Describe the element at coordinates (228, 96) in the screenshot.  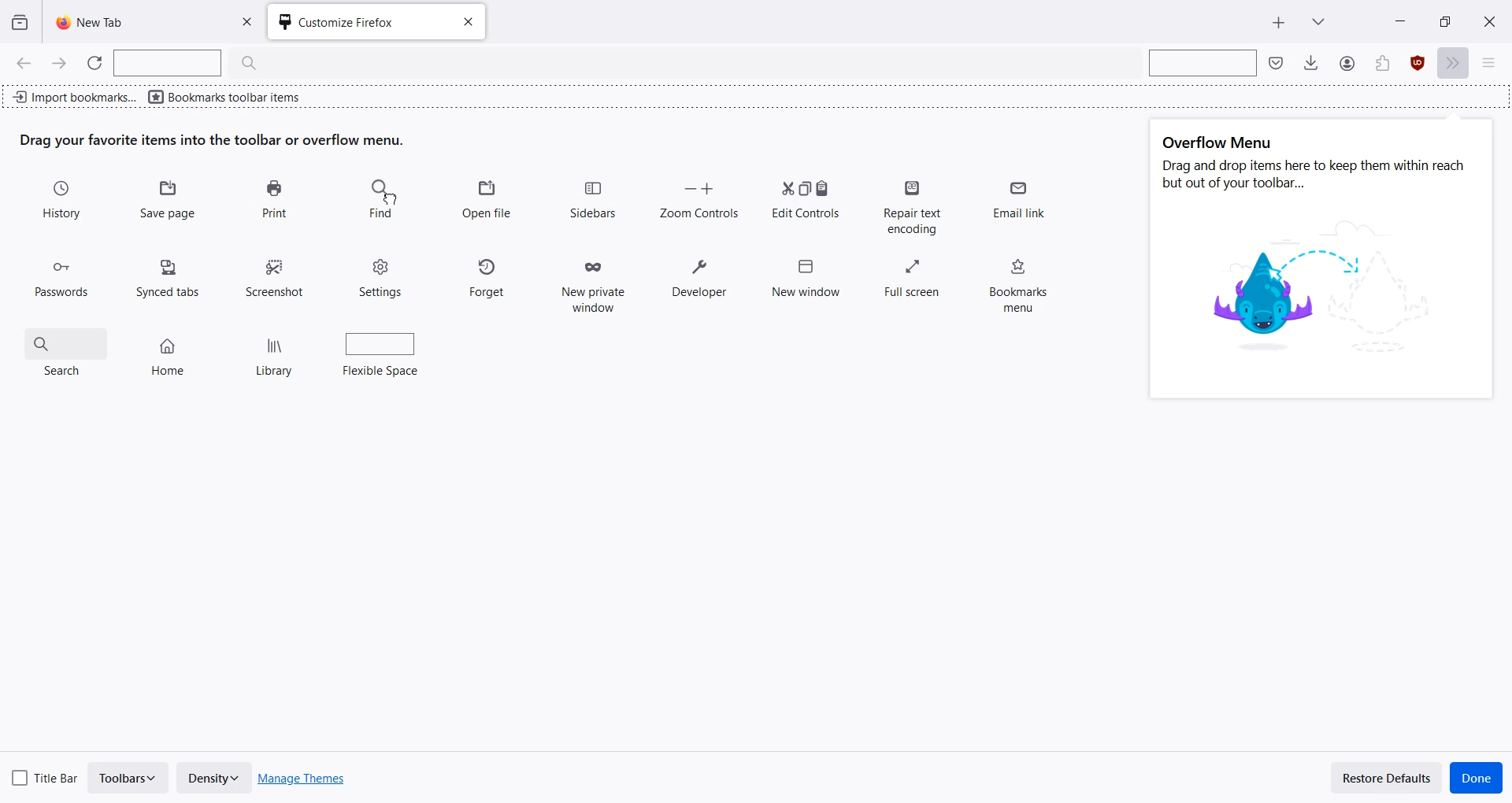
I see `Bookmarks toolbar items` at that location.